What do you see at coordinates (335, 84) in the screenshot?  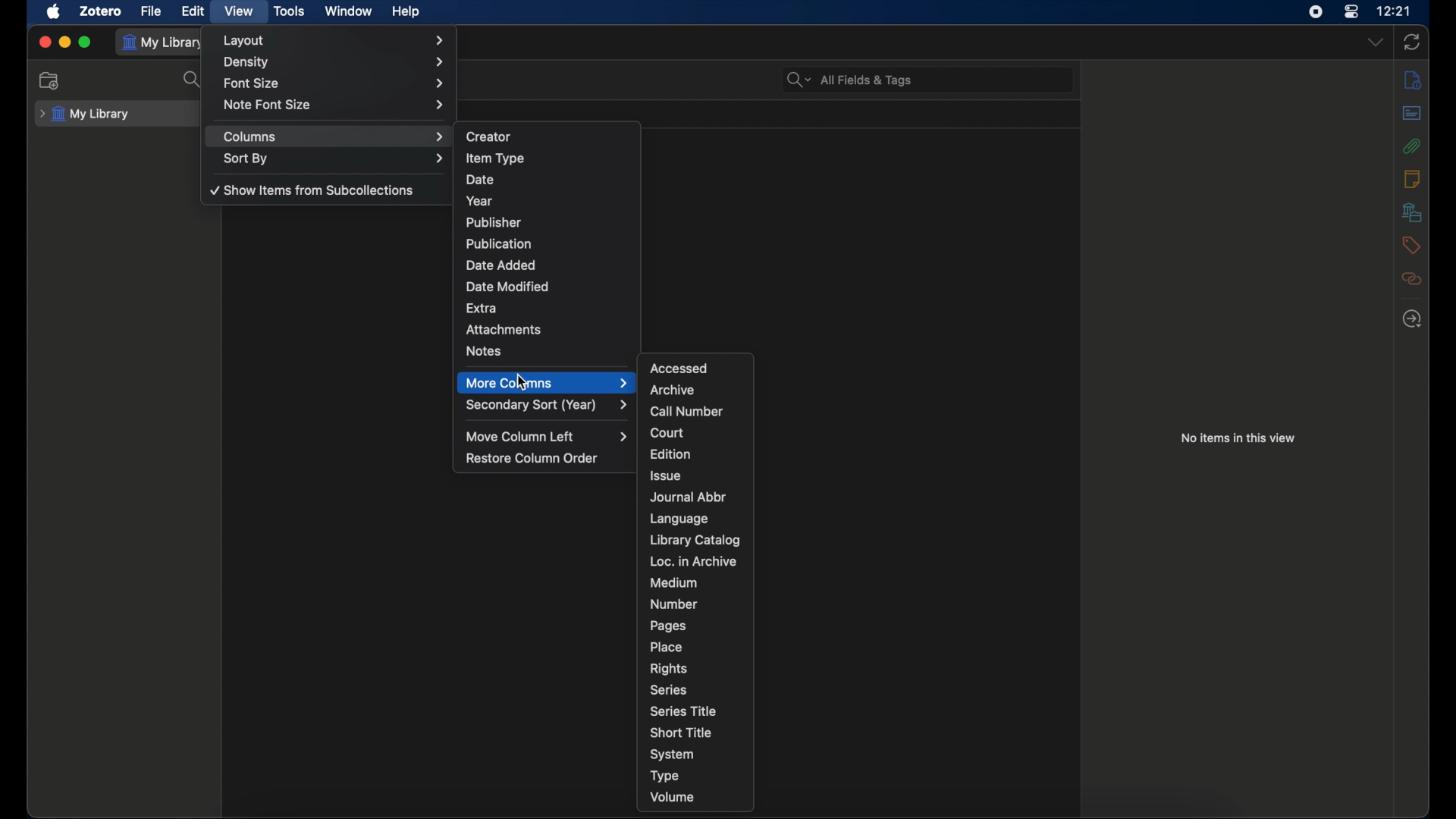 I see `font size` at bounding box center [335, 84].